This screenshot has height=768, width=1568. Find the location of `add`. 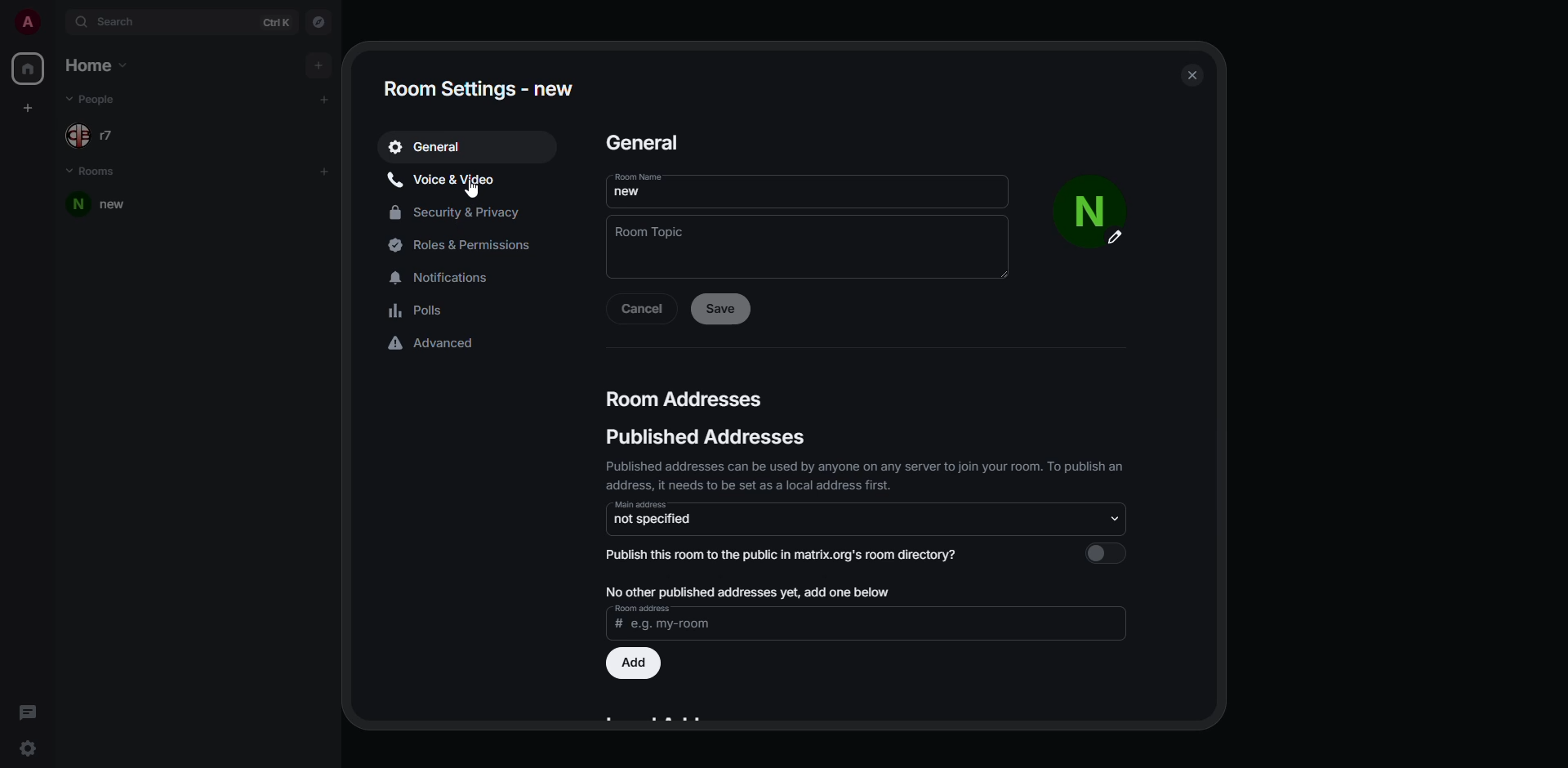

add is located at coordinates (325, 171).